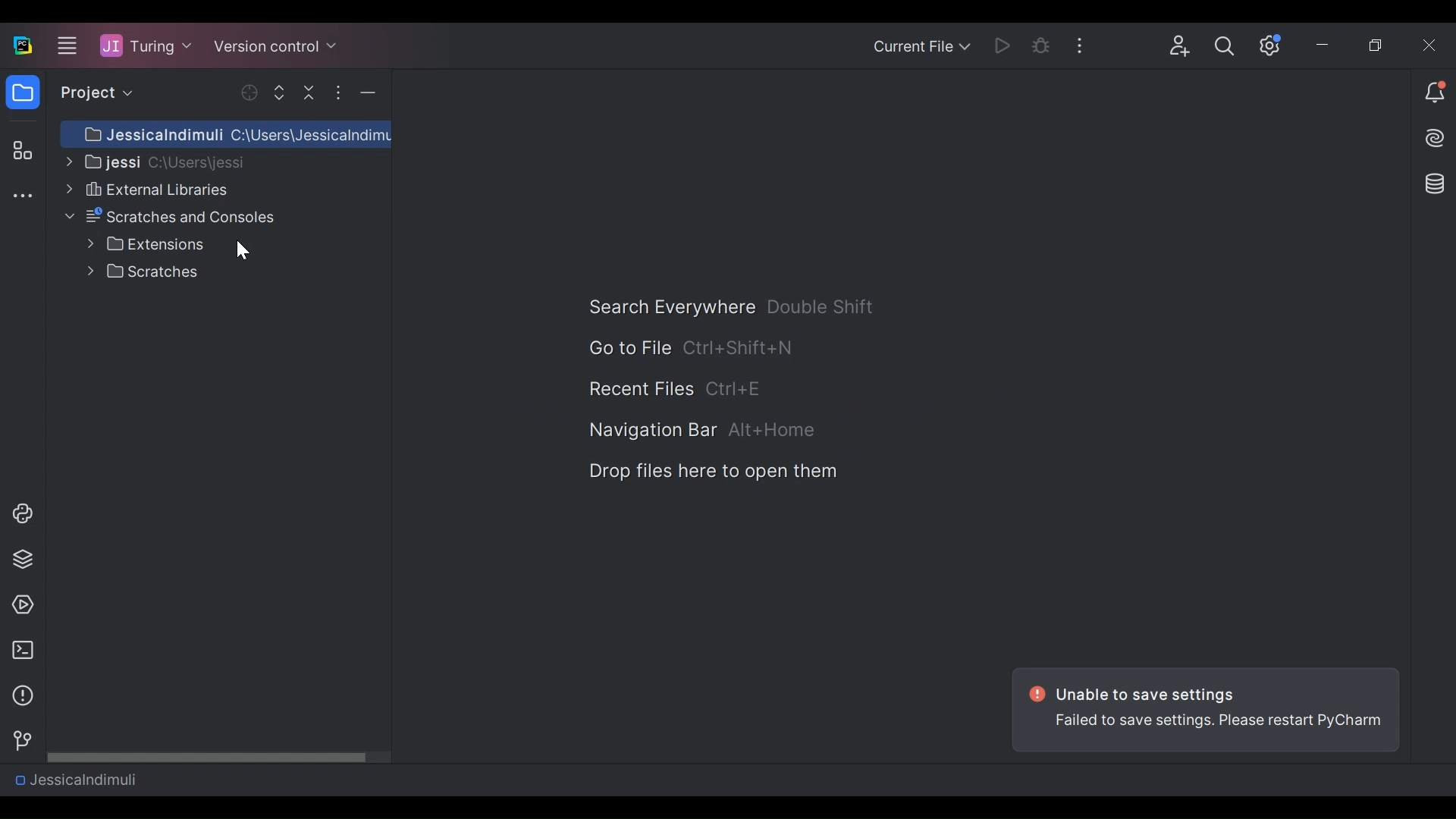 The height and width of the screenshot is (819, 1456). What do you see at coordinates (219, 756) in the screenshot?
I see `Horizontal Scroll bar` at bounding box center [219, 756].